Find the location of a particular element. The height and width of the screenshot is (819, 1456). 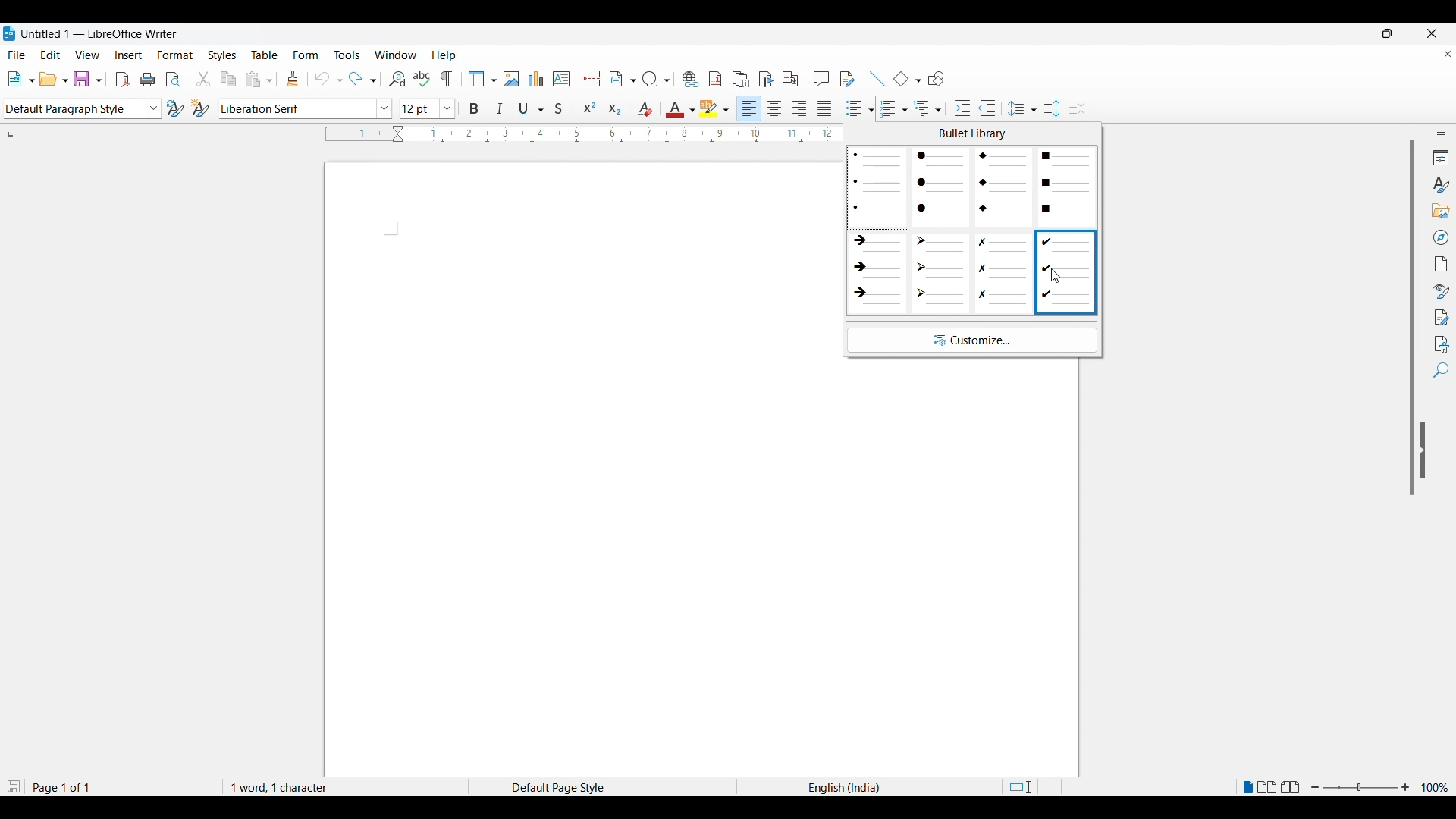

Default Page Style is located at coordinates (572, 786).